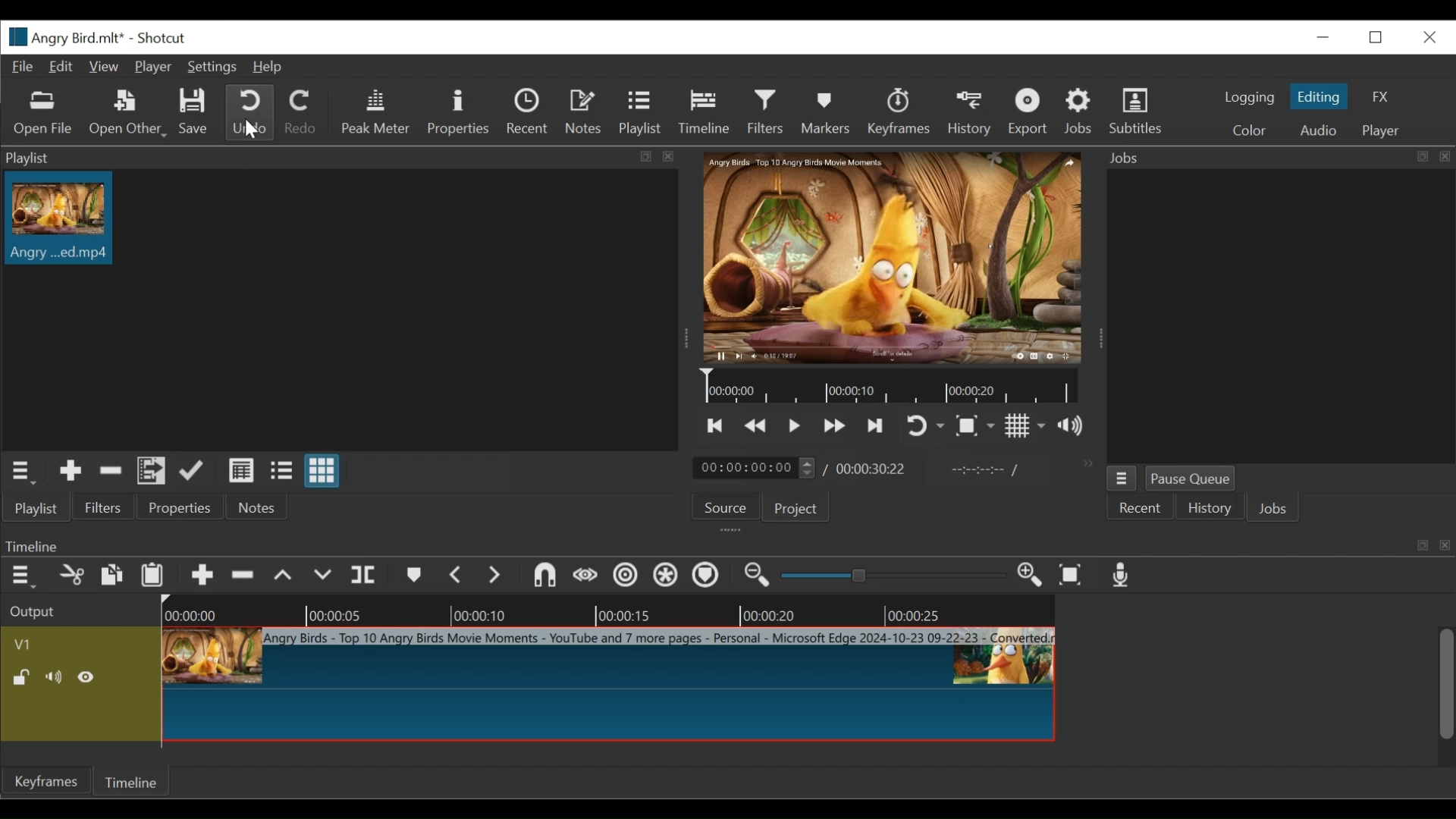 This screenshot has width=1456, height=819. I want to click on Show volume control, so click(1068, 424).